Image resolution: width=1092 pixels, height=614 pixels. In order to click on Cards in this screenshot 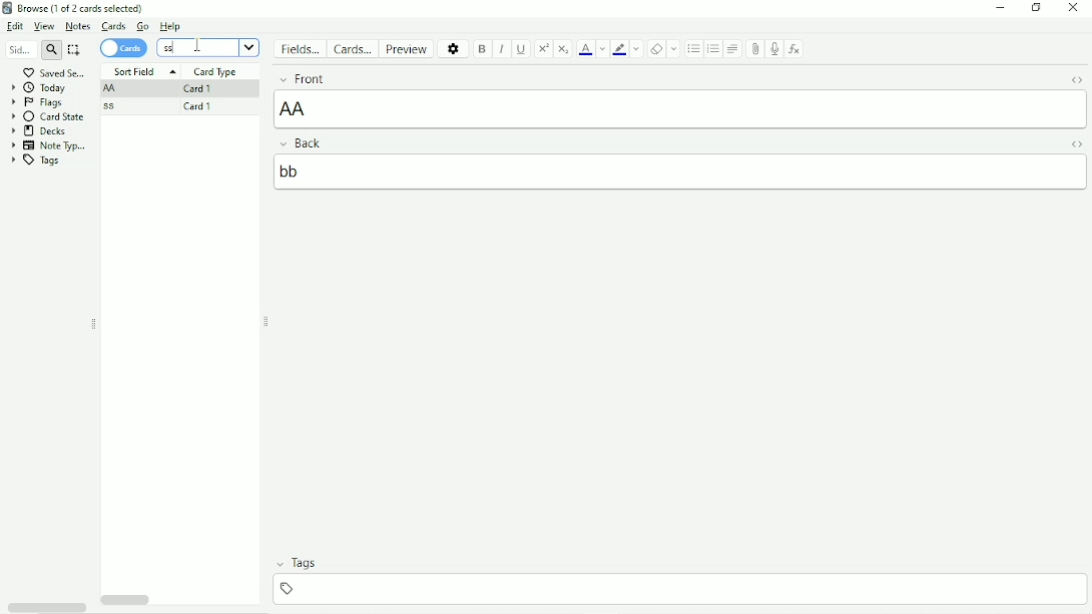, I will do `click(124, 49)`.